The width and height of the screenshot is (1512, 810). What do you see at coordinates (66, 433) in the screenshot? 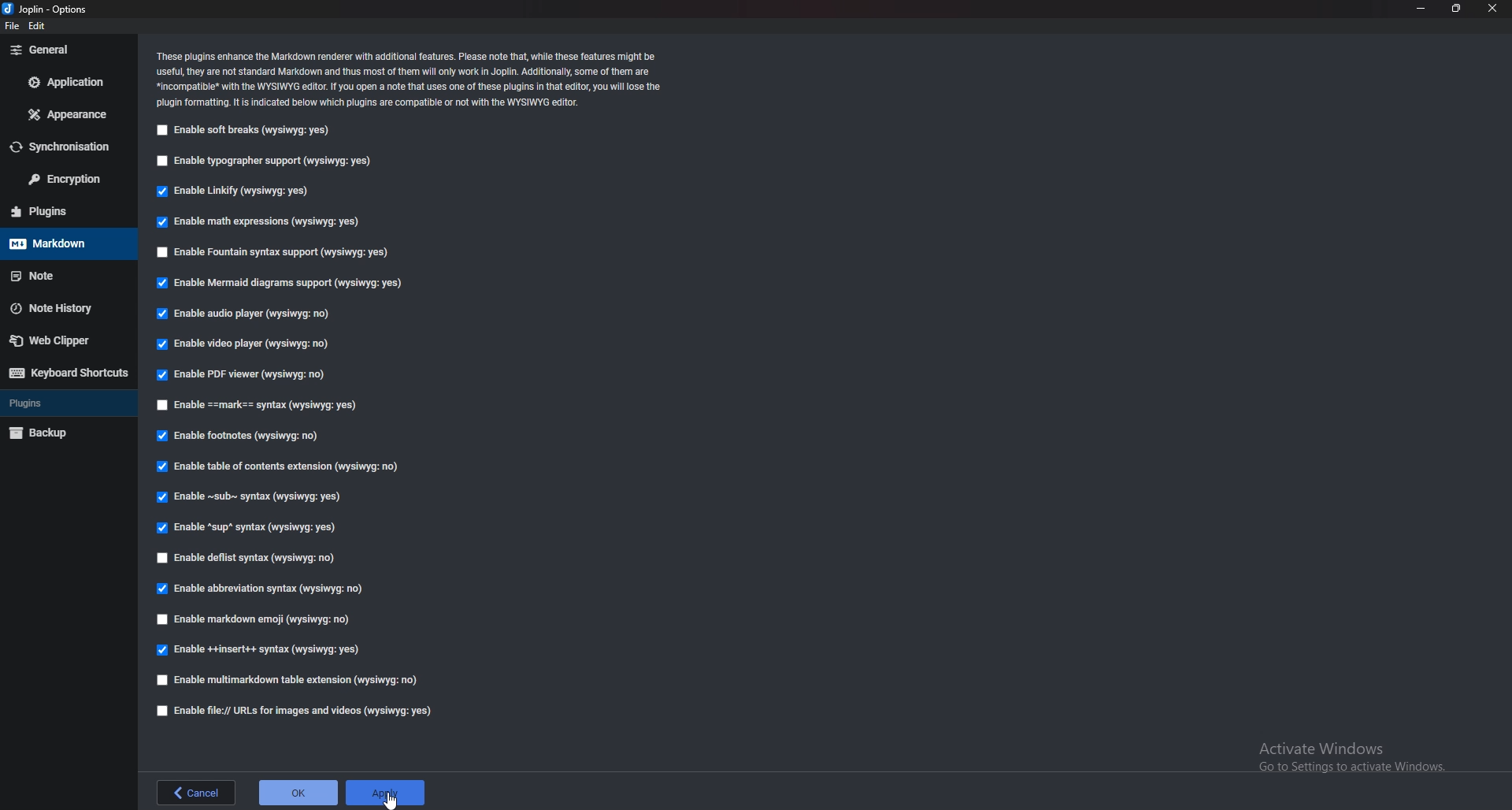
I see `Backup` at bounding box center [66, 433].